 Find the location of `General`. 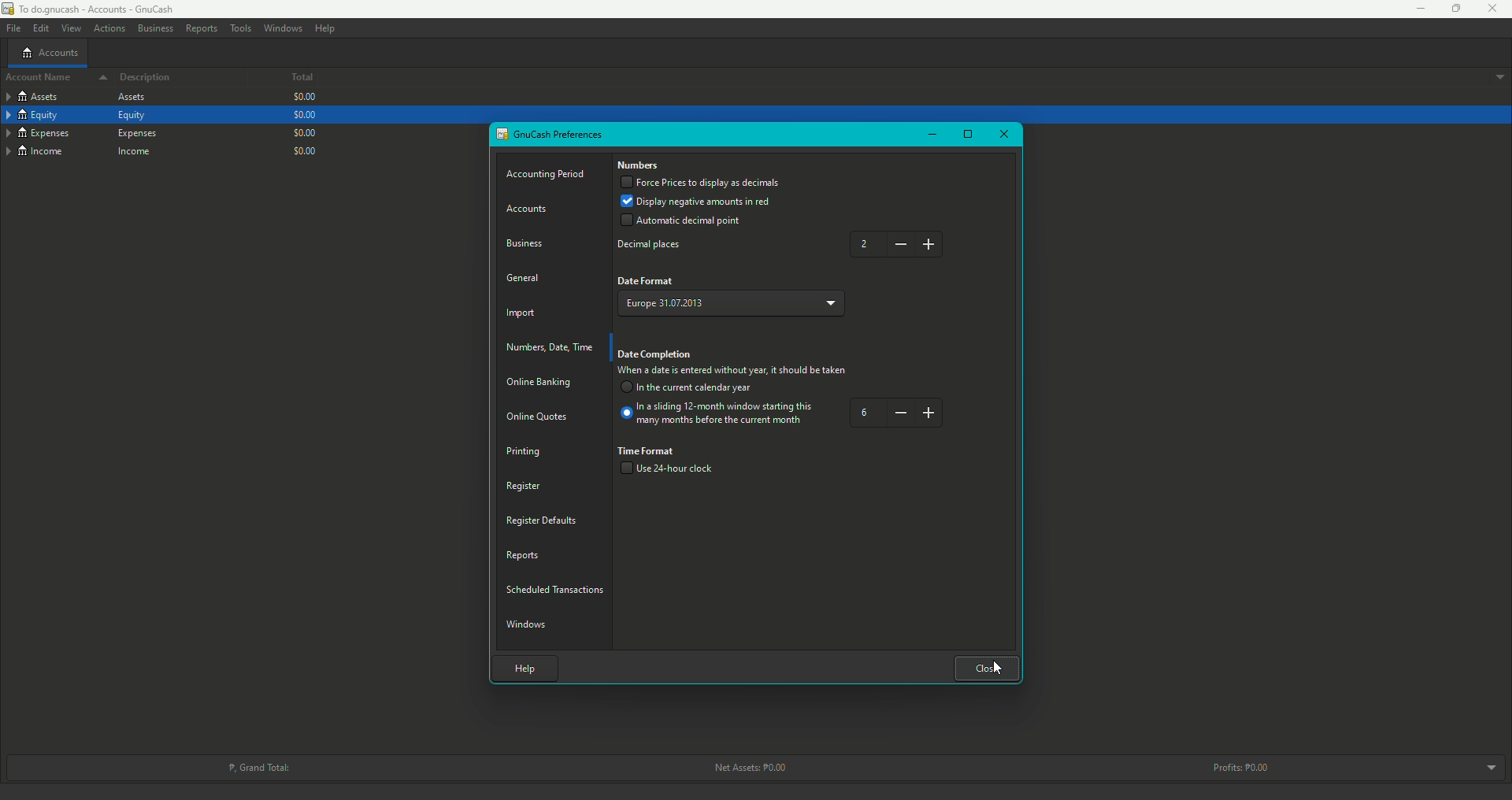

General is located at coordinates (524, 276).